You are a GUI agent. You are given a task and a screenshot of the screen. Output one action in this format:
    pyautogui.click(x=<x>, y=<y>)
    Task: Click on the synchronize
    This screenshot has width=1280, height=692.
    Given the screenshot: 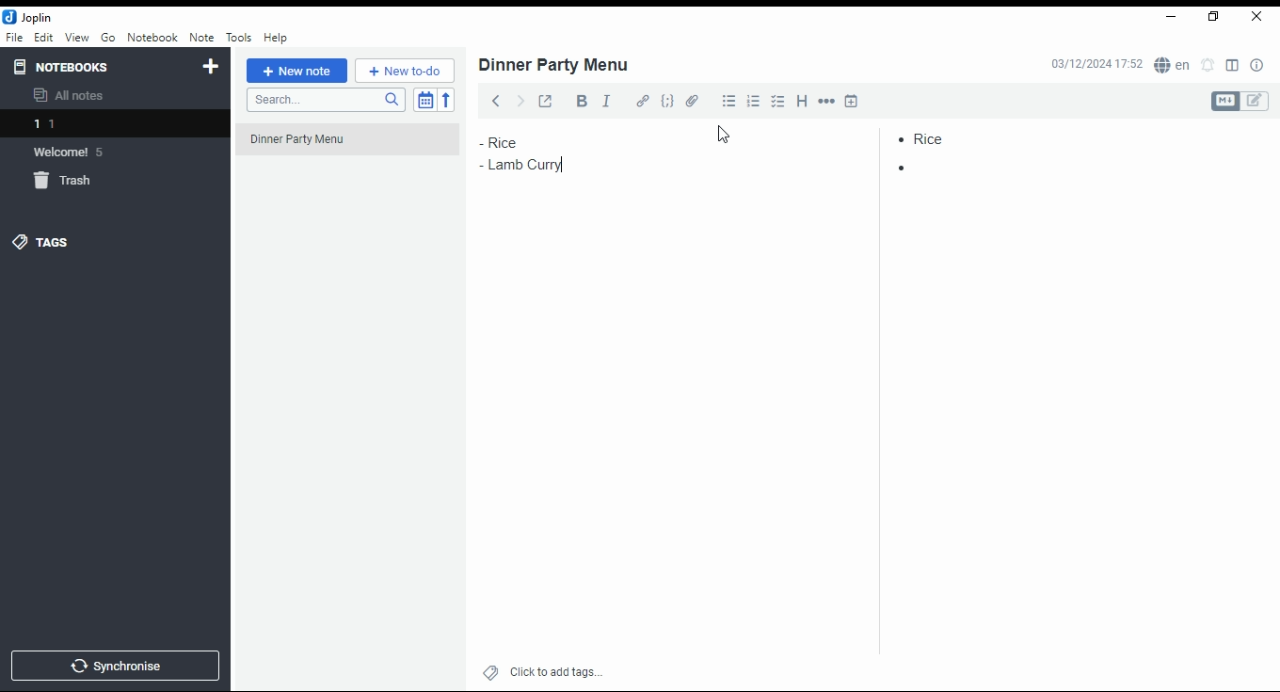 What is the action you would take?
    pyautogui.click(x=114, y=666)
    